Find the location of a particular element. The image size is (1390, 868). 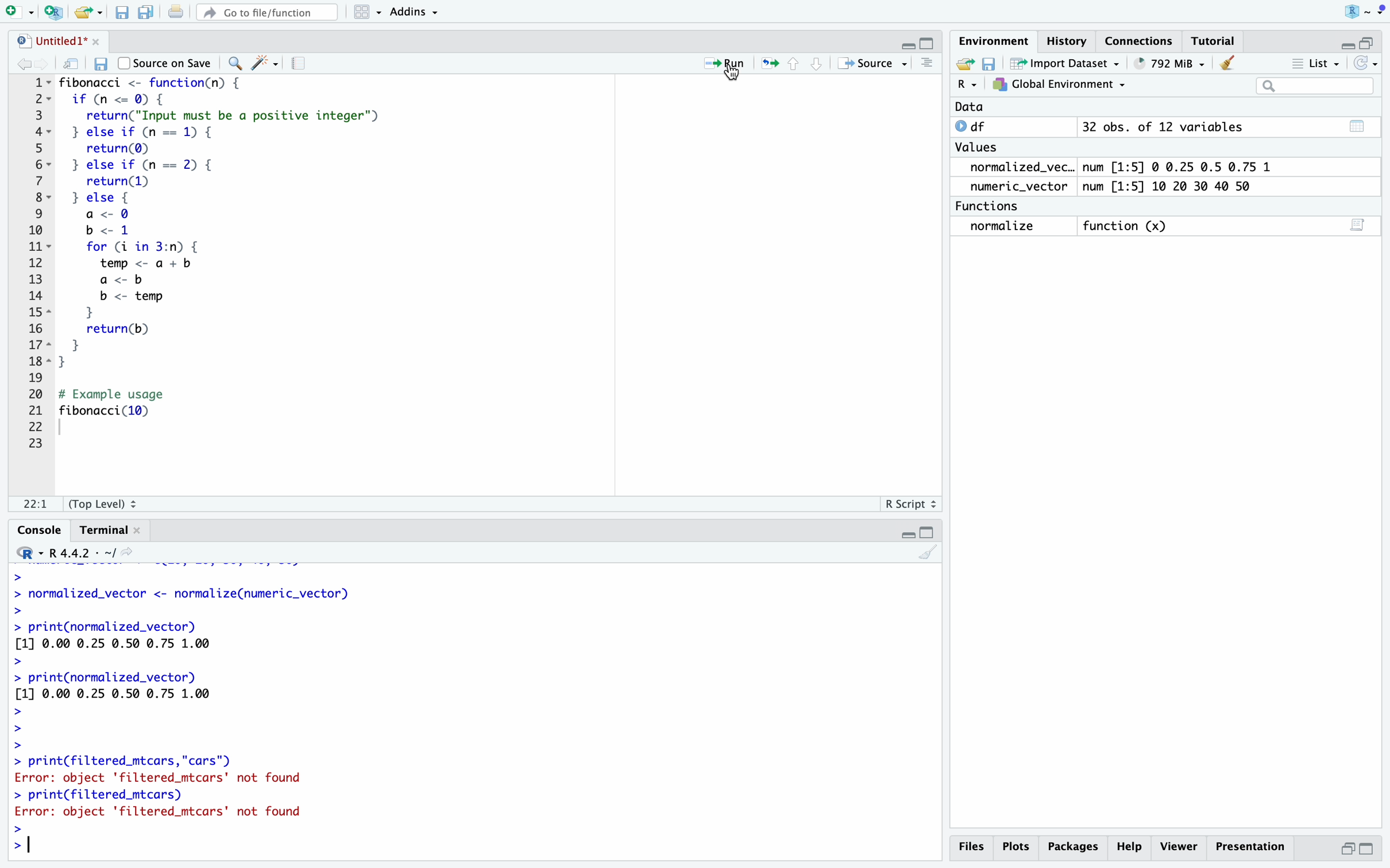

load workspace is located at coordinates (966, 63).